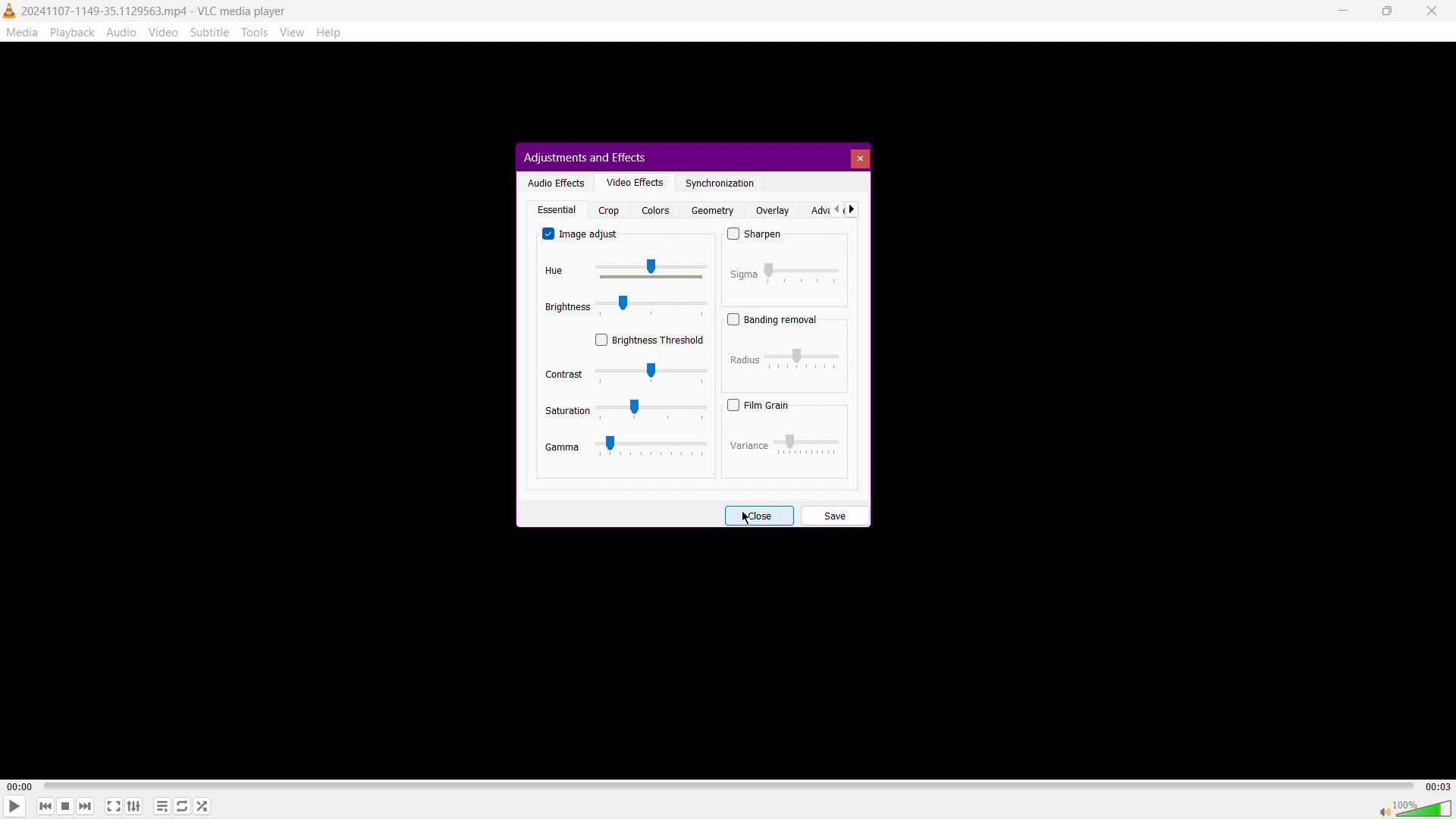  I want to click on Image adjust, so click(582, 234).